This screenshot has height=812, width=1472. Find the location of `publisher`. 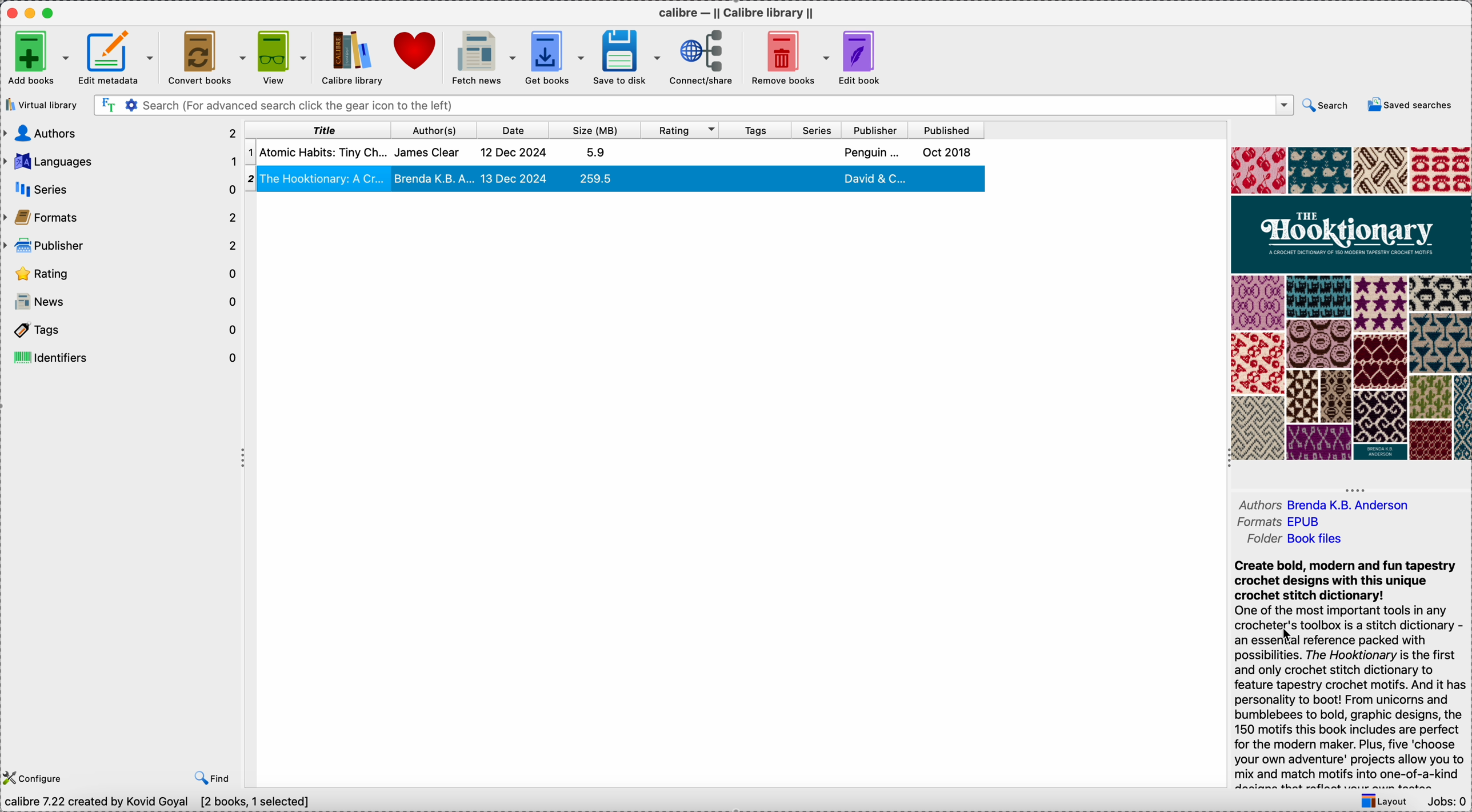

publisher is located at coordinates (876, 130).